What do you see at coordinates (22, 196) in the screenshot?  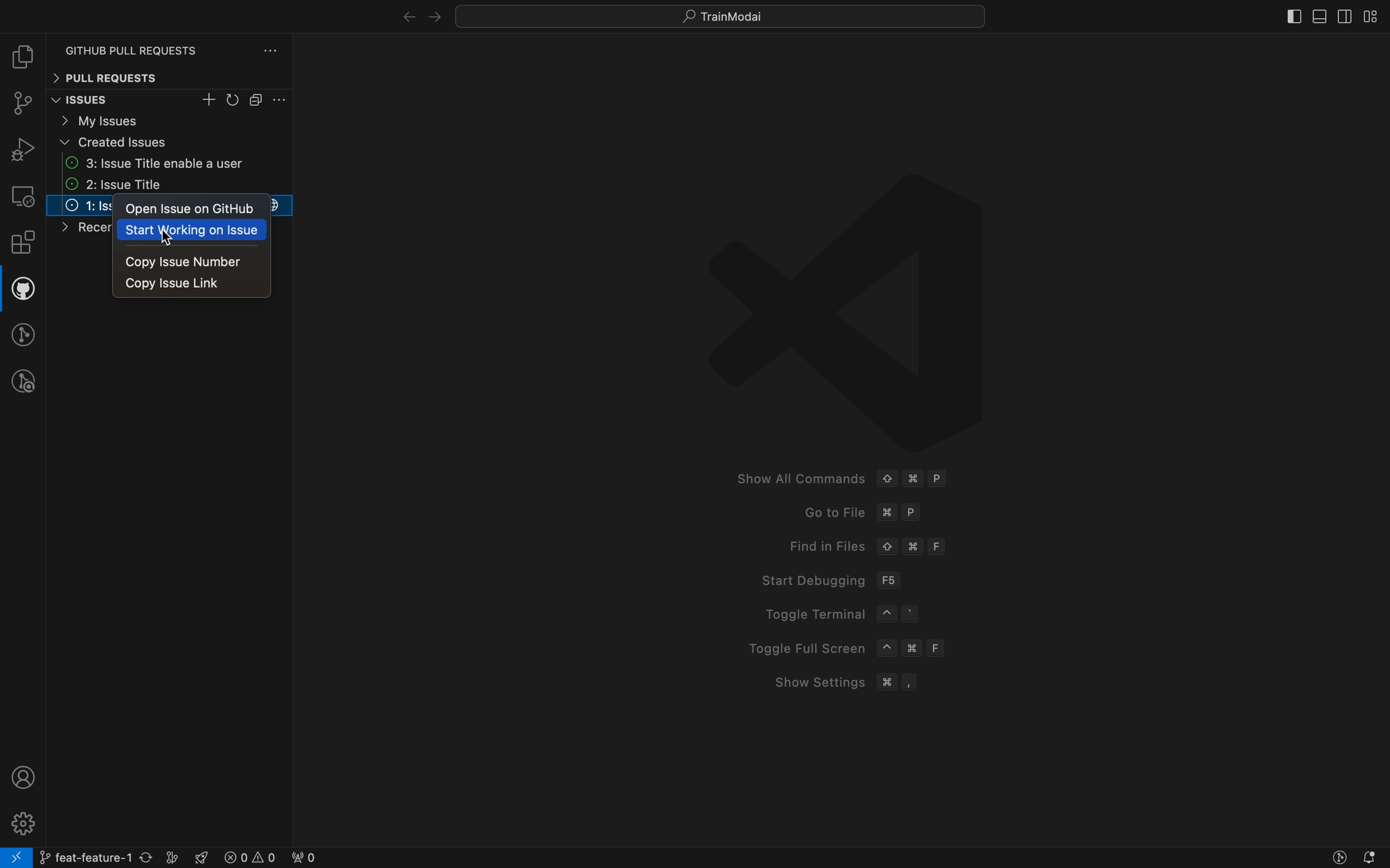 I see `remote explorer ` at bounding box center [22, 196].